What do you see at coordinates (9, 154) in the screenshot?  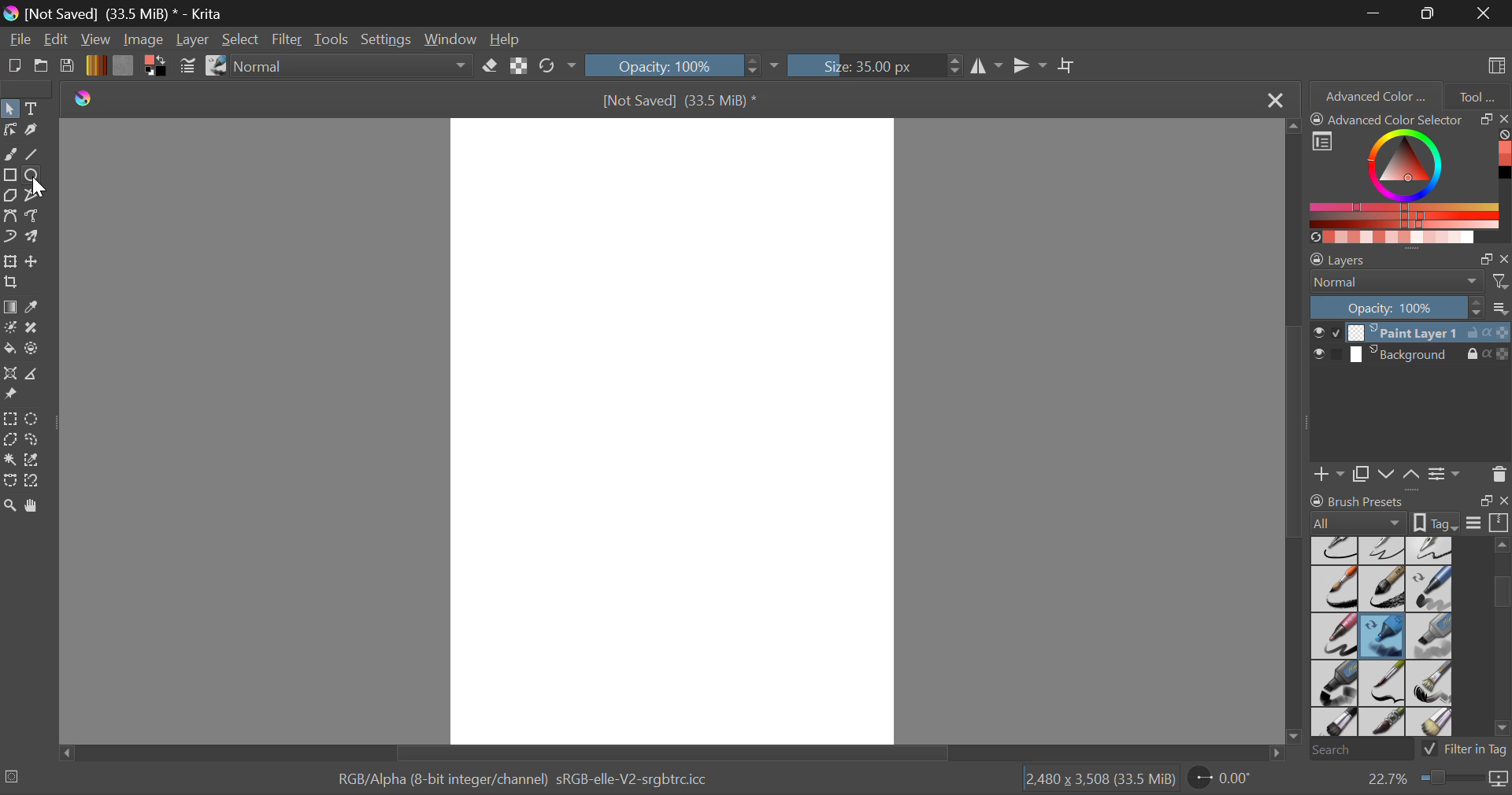 I see `Freehand` at bounding box center [9, 154].